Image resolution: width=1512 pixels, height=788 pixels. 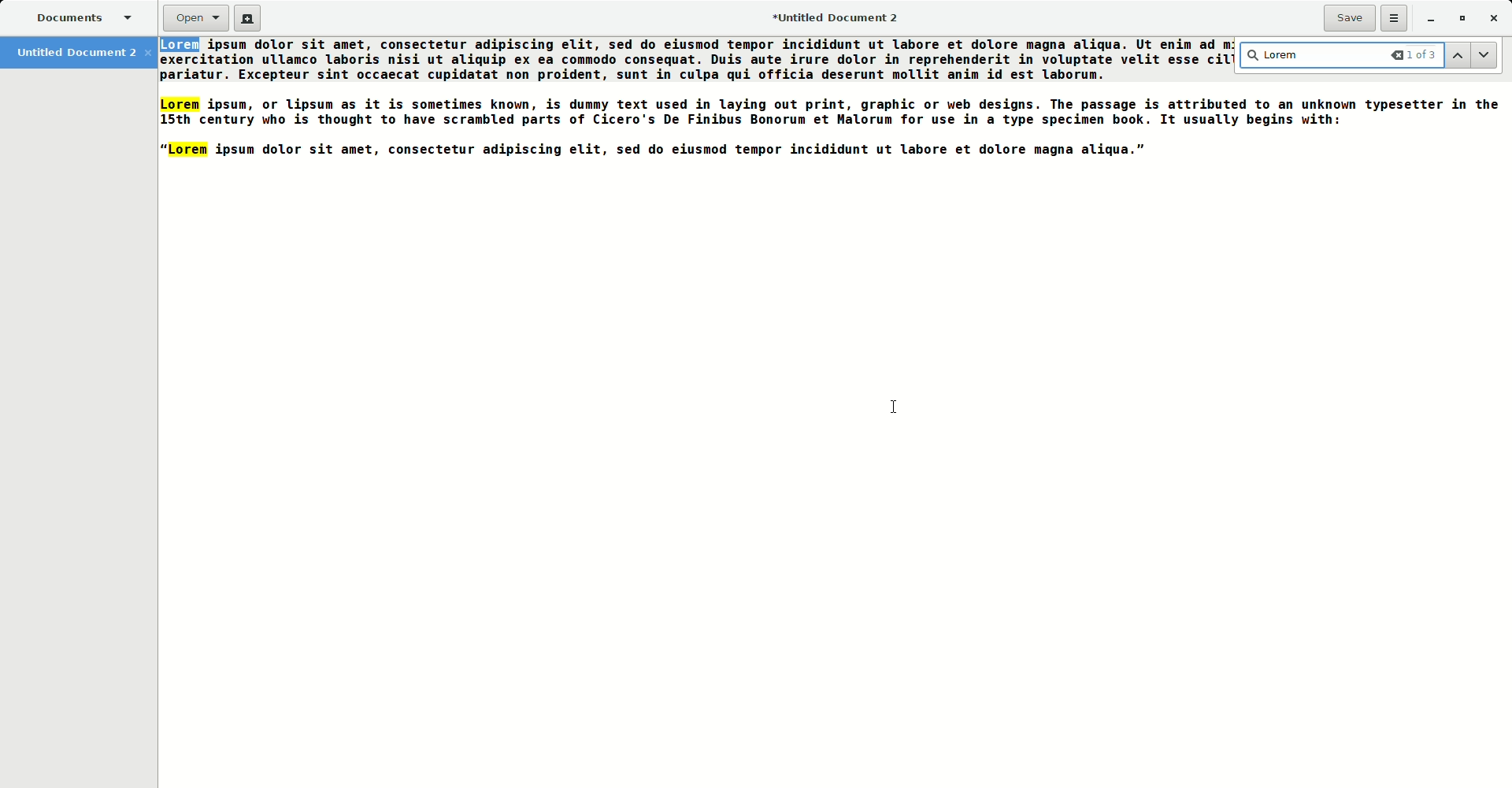 What do you see at coordinates (728, 106) in the screenshot?
I see `Paragraphs` at bounding box center [728, 106].